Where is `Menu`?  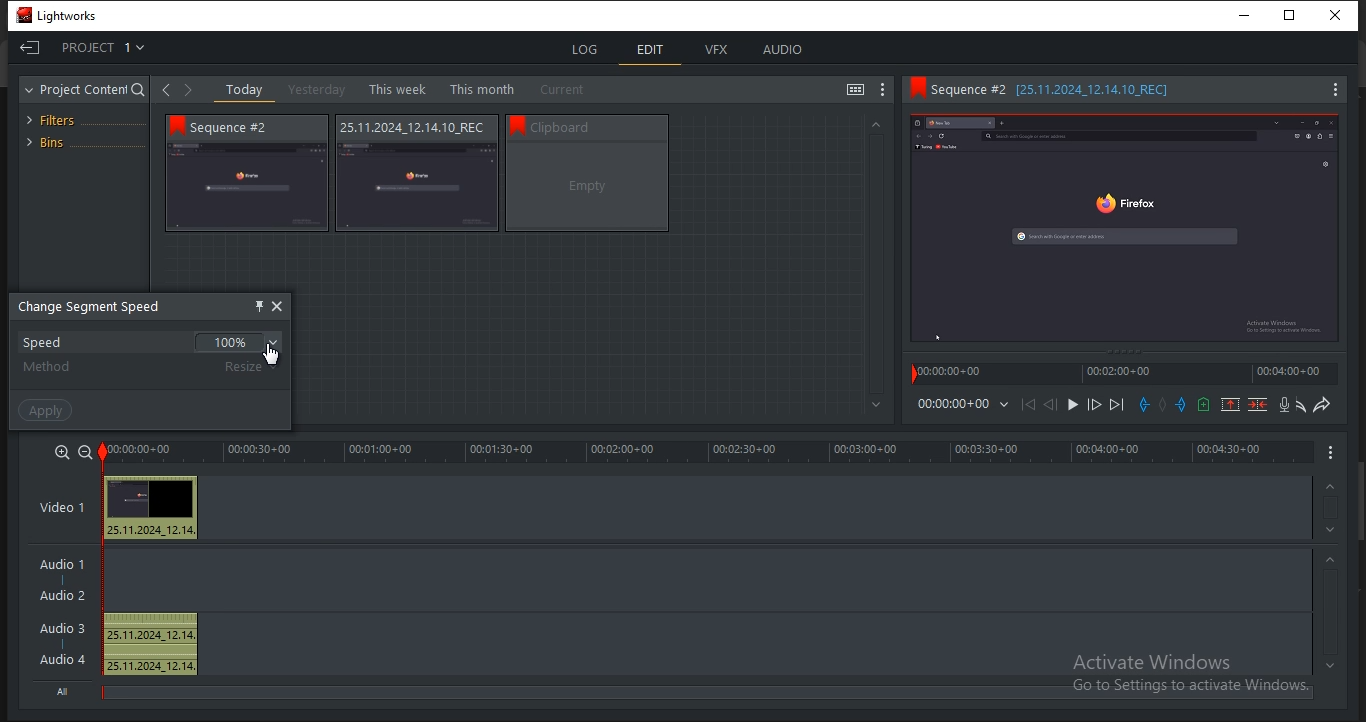 Menu is located at coordinates (1329, 89).